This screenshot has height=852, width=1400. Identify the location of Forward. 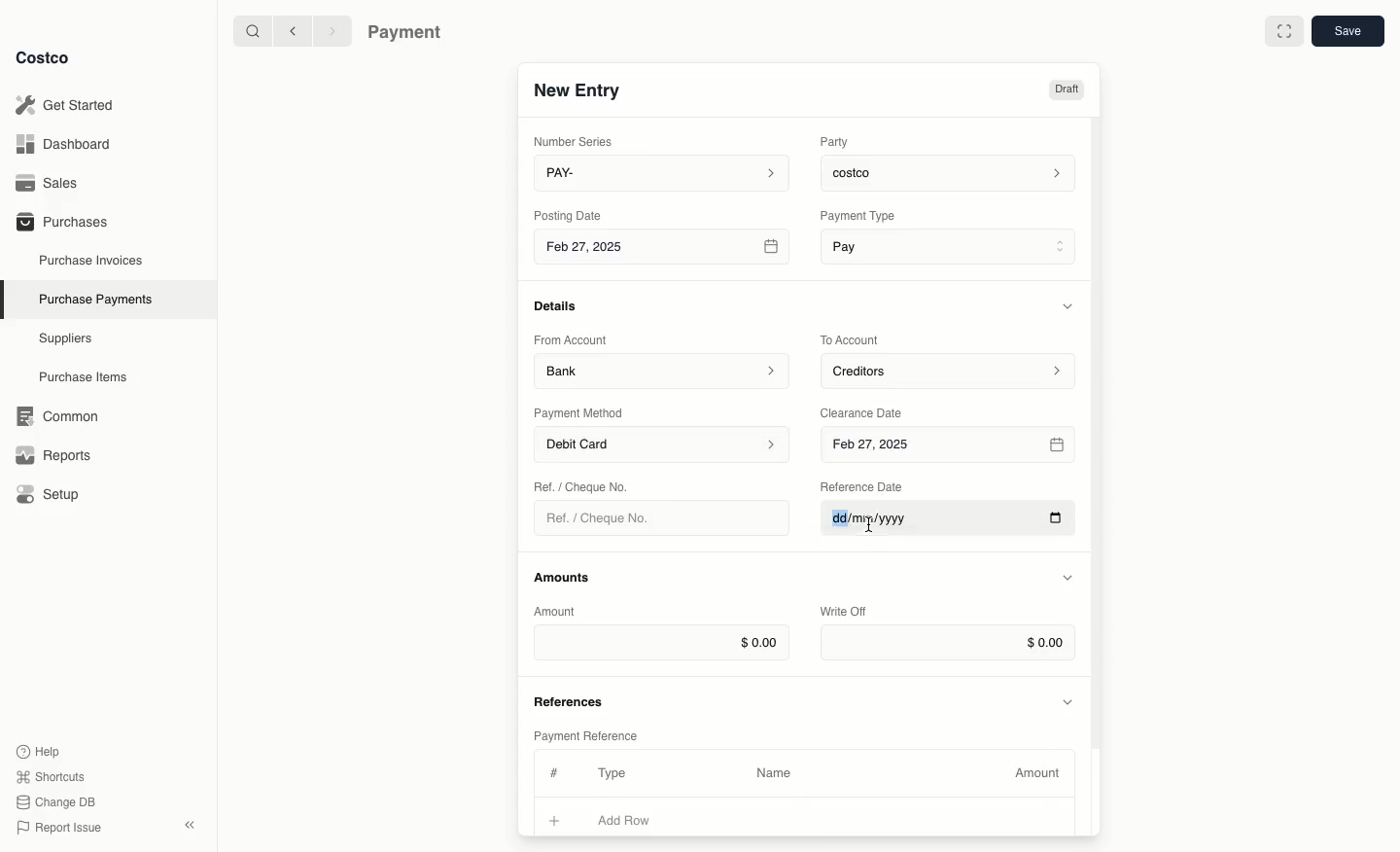
(331, 30).